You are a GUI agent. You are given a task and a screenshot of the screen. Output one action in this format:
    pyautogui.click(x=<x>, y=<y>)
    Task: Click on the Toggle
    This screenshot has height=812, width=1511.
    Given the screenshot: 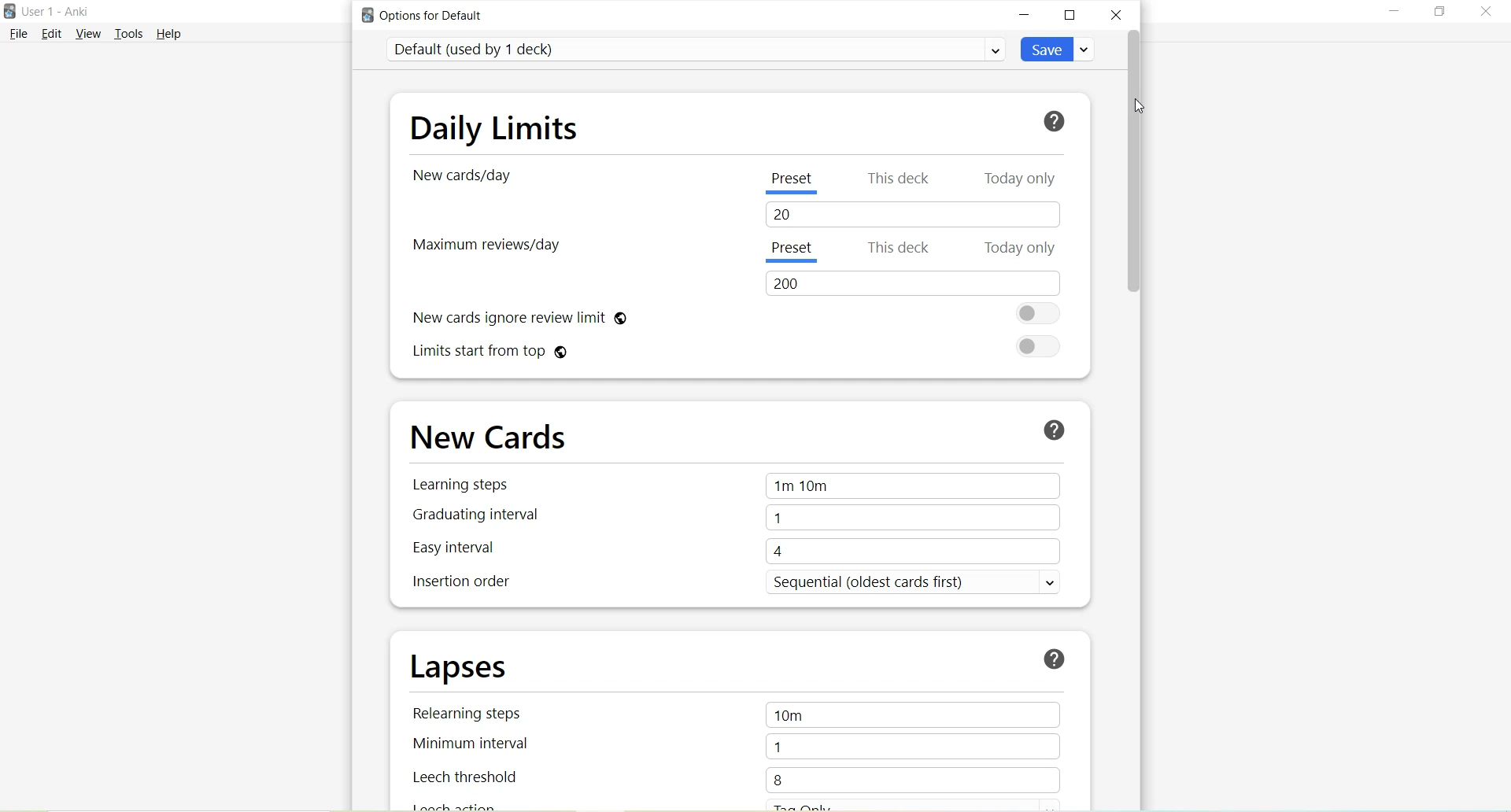 What is the action you would take?
    pyautogui.click(x=1040, y=348)
    